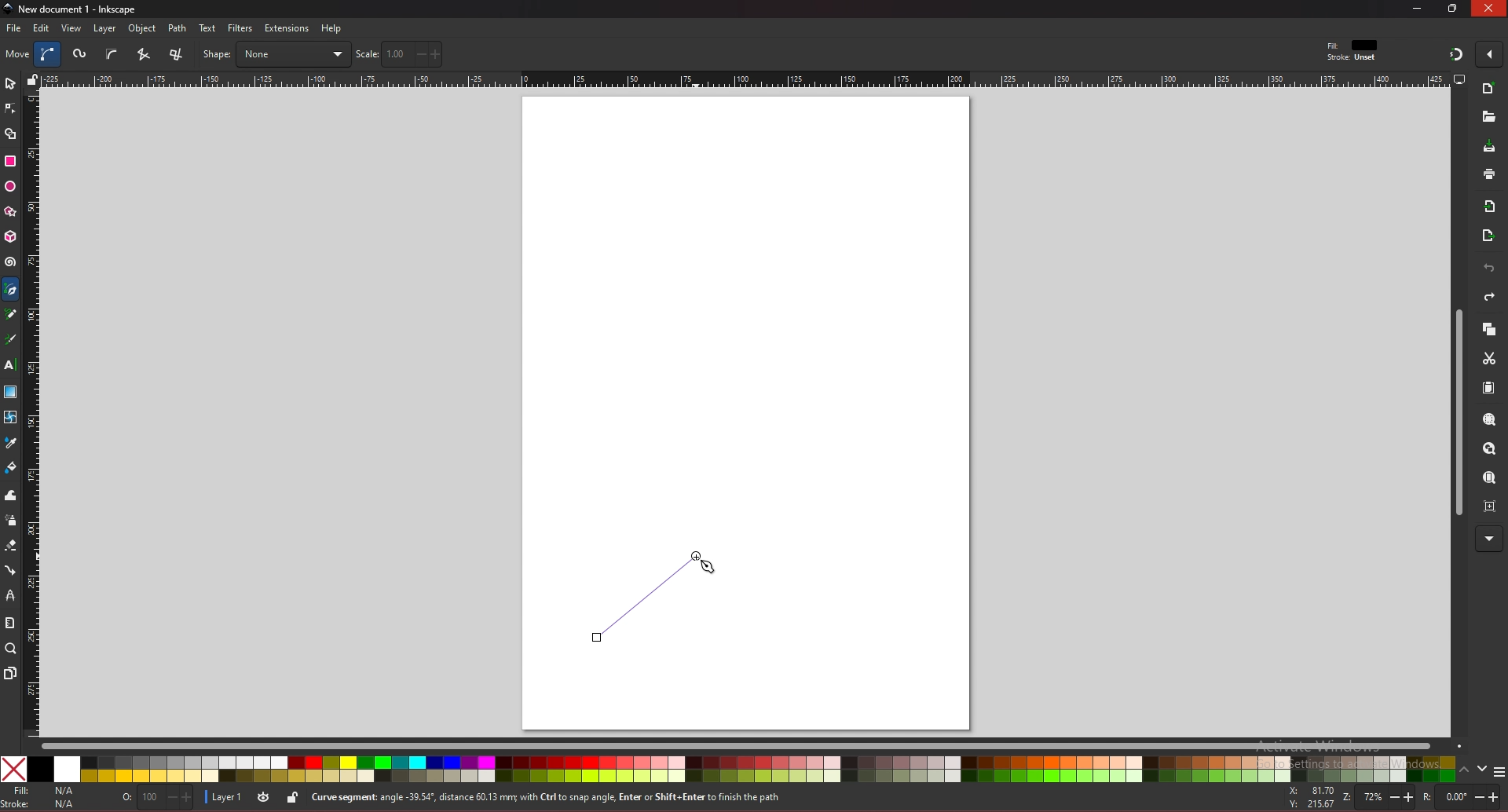 Image resolution: width=1508 pixels, height=812 pixels. What do you see at coordinates (49, 54) in the screenshot?
I see `bezier curve` at bounding box center [49, 54].